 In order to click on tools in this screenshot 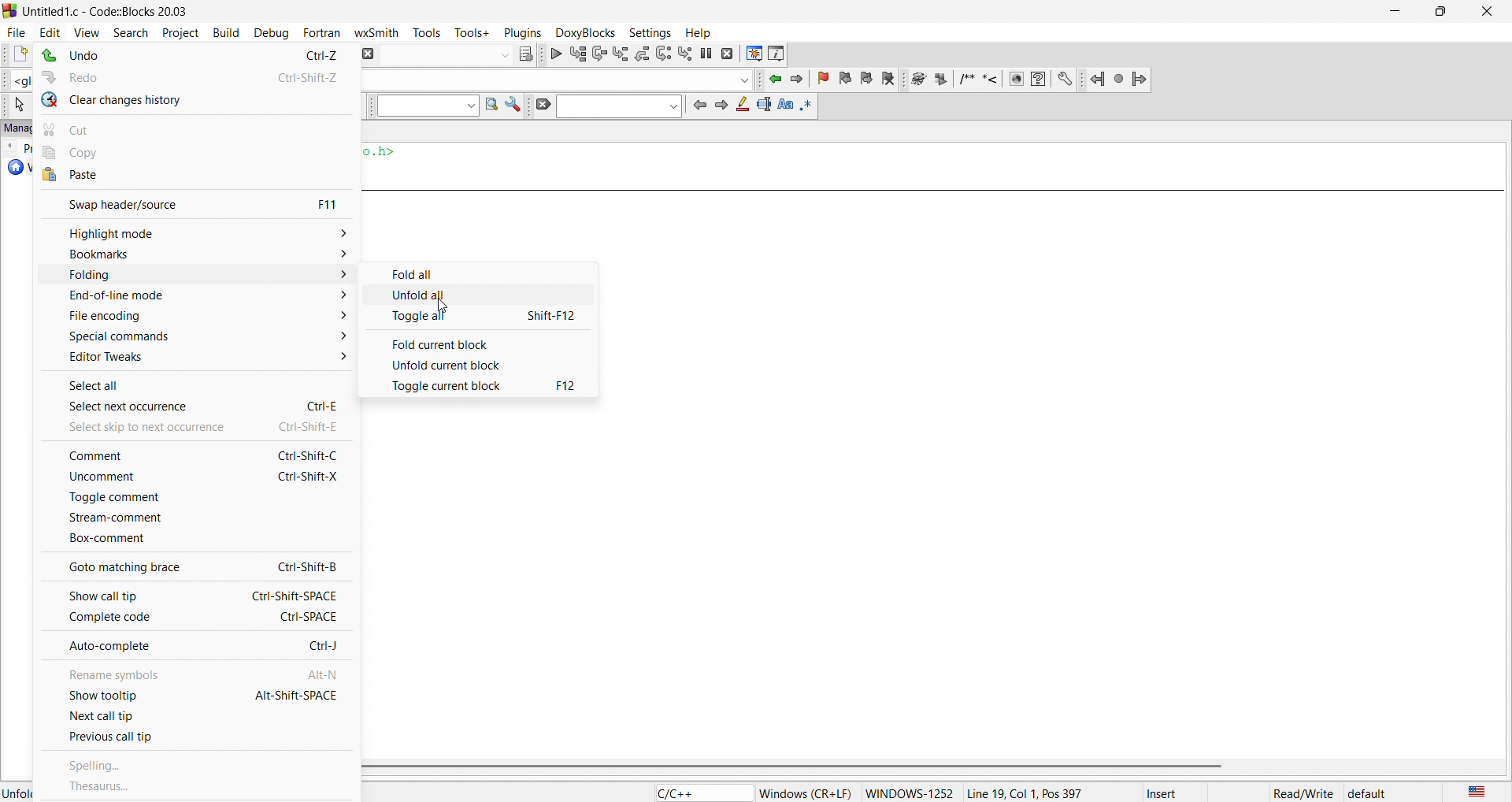, I will do `click(430, 32)`.